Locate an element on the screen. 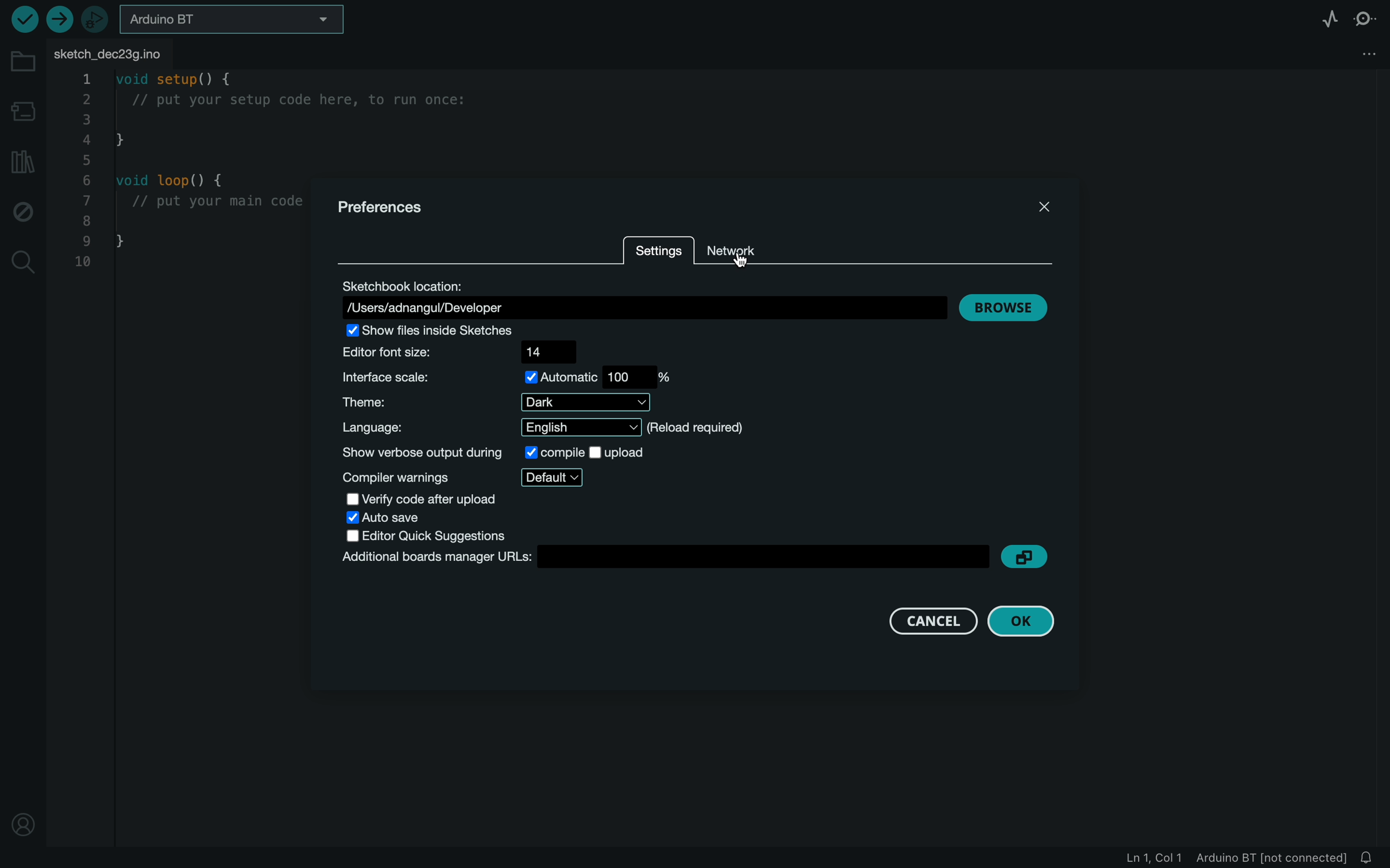  debugger is located at coordinates (96, 20).